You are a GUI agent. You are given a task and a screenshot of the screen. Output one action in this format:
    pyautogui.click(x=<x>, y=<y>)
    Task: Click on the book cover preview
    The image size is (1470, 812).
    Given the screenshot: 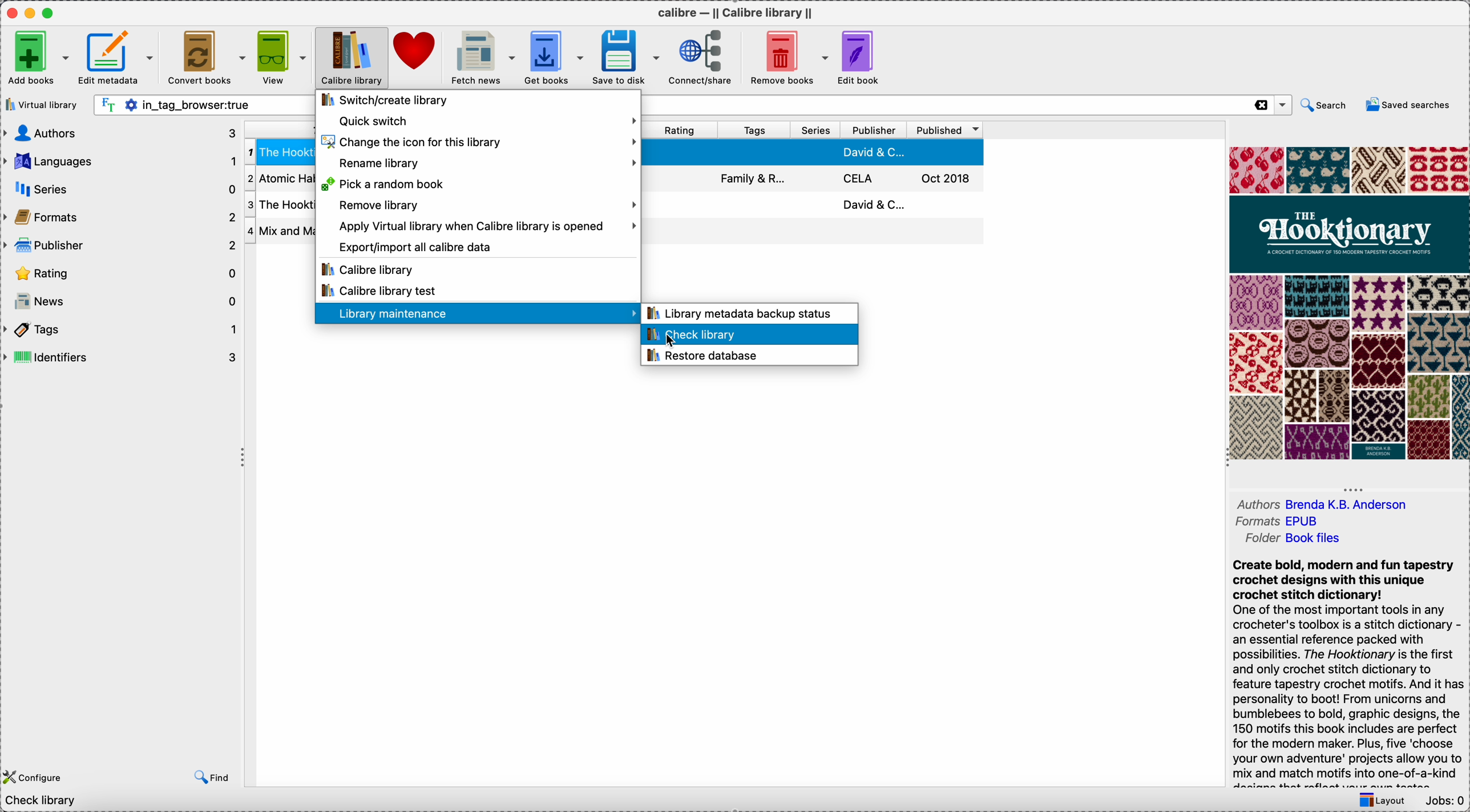 What is the action you would take?
    pyautogui.click(x=1348, y=304)
    